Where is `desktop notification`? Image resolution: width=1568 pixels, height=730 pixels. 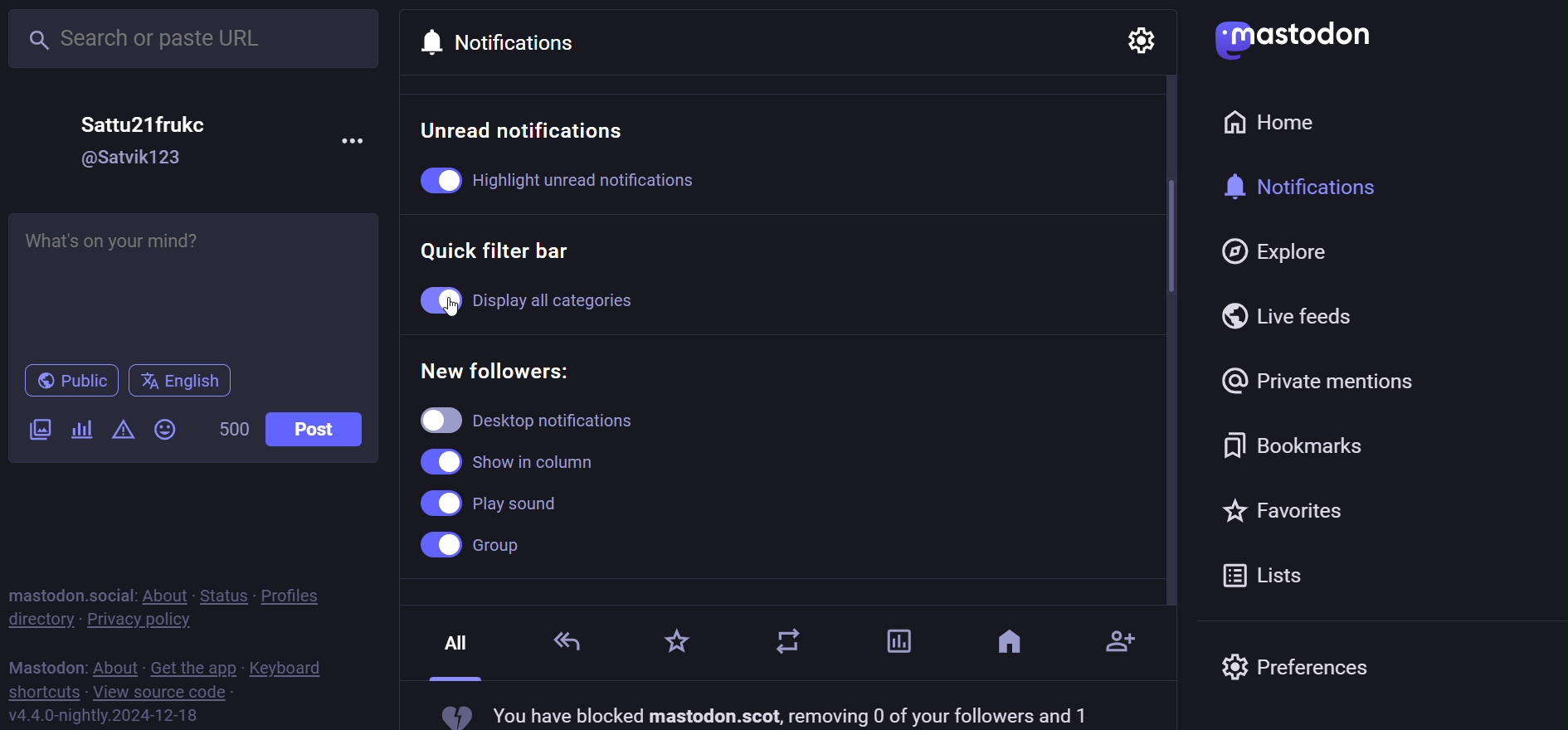 desktop notification is located at coordinates (555, 419).